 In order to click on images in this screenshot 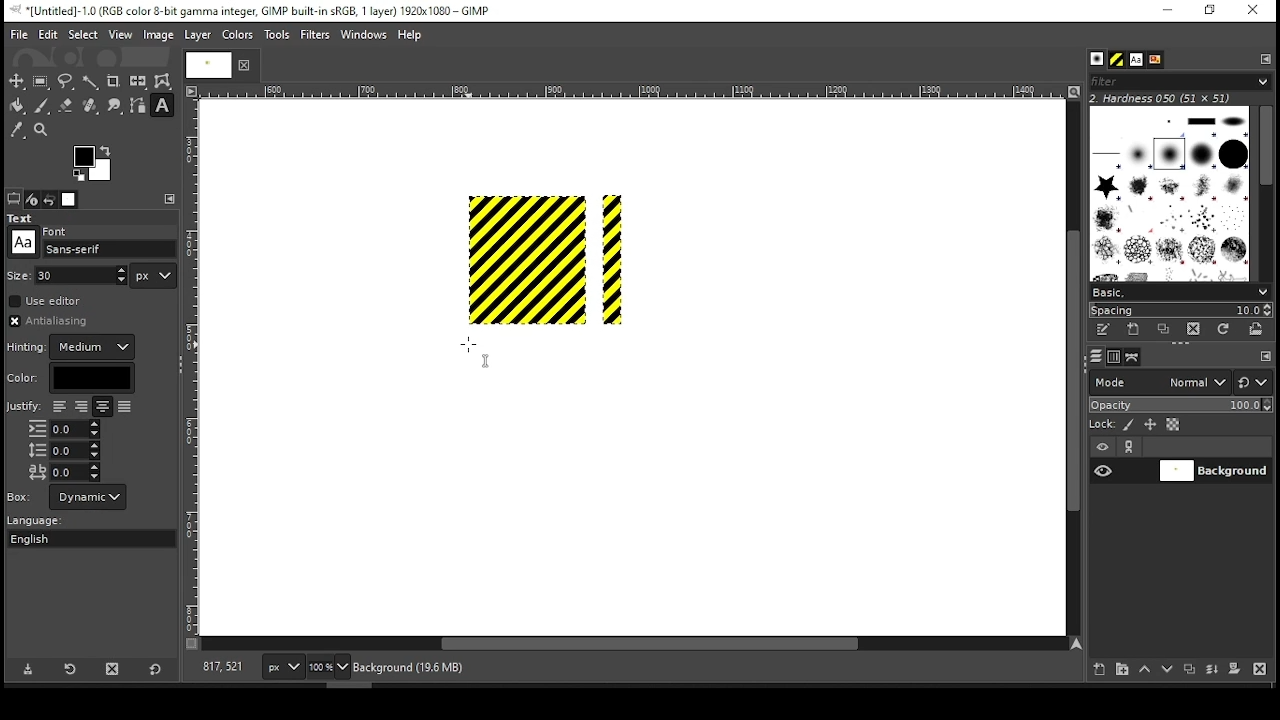, I will do `click(70, 200)`.